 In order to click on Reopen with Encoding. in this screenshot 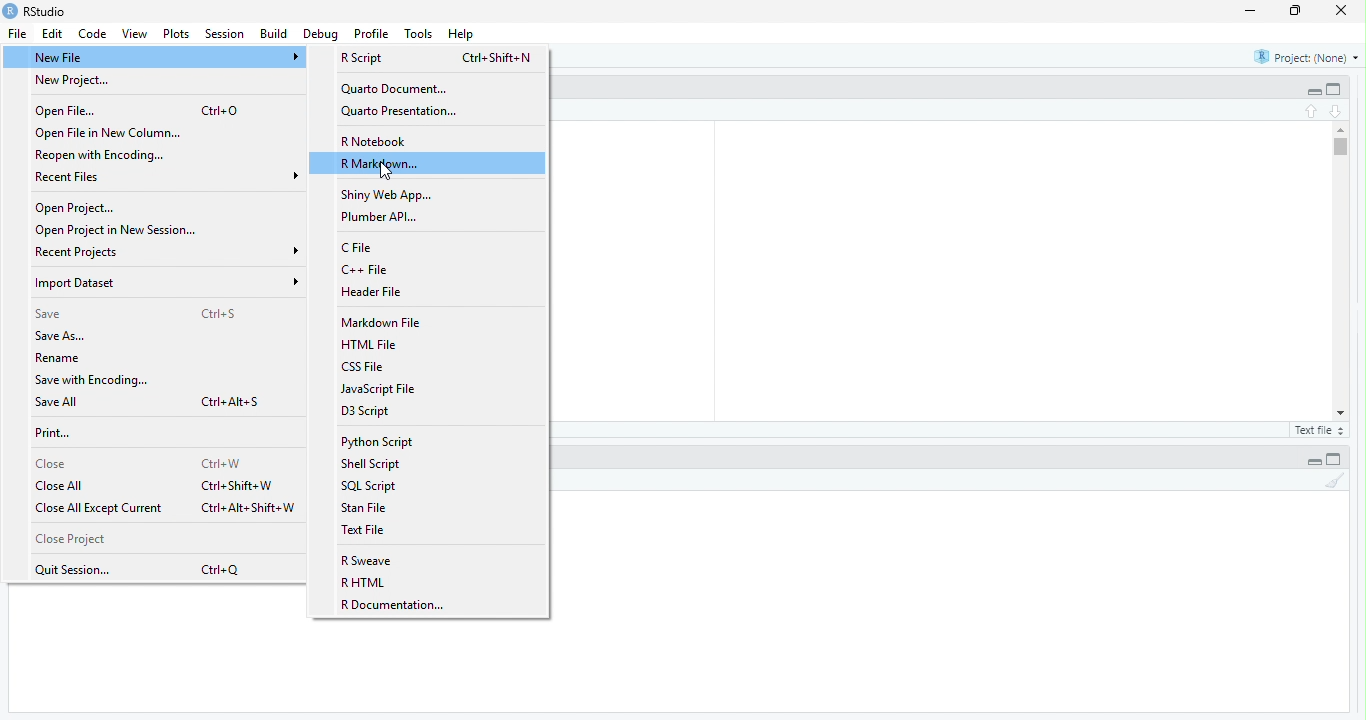, I will do `click(105, 156)`.